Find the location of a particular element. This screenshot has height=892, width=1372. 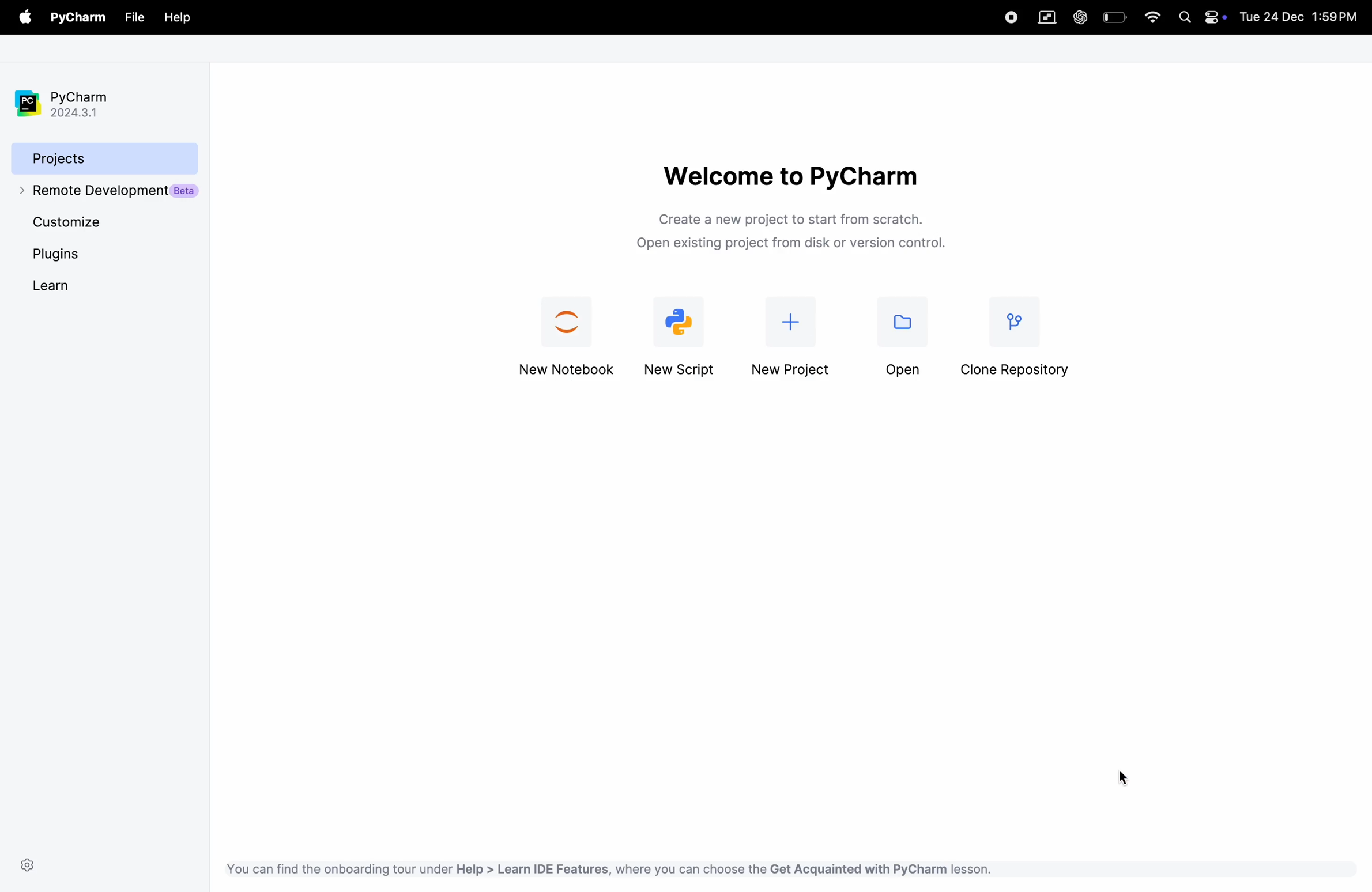

record is located at coordinates (1009, 18).